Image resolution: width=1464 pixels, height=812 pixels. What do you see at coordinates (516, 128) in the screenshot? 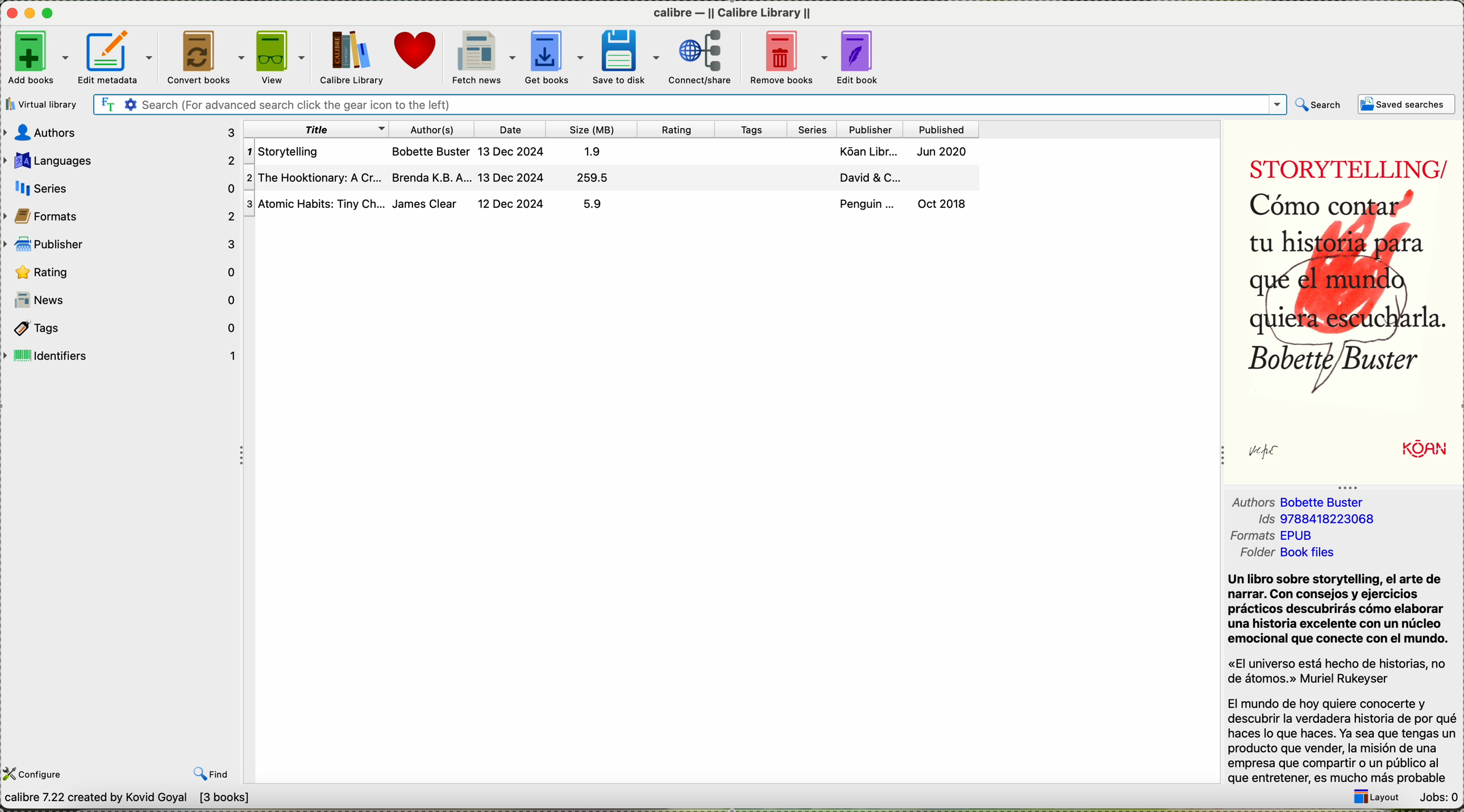
I see `date` at bounding box center [516, 128].